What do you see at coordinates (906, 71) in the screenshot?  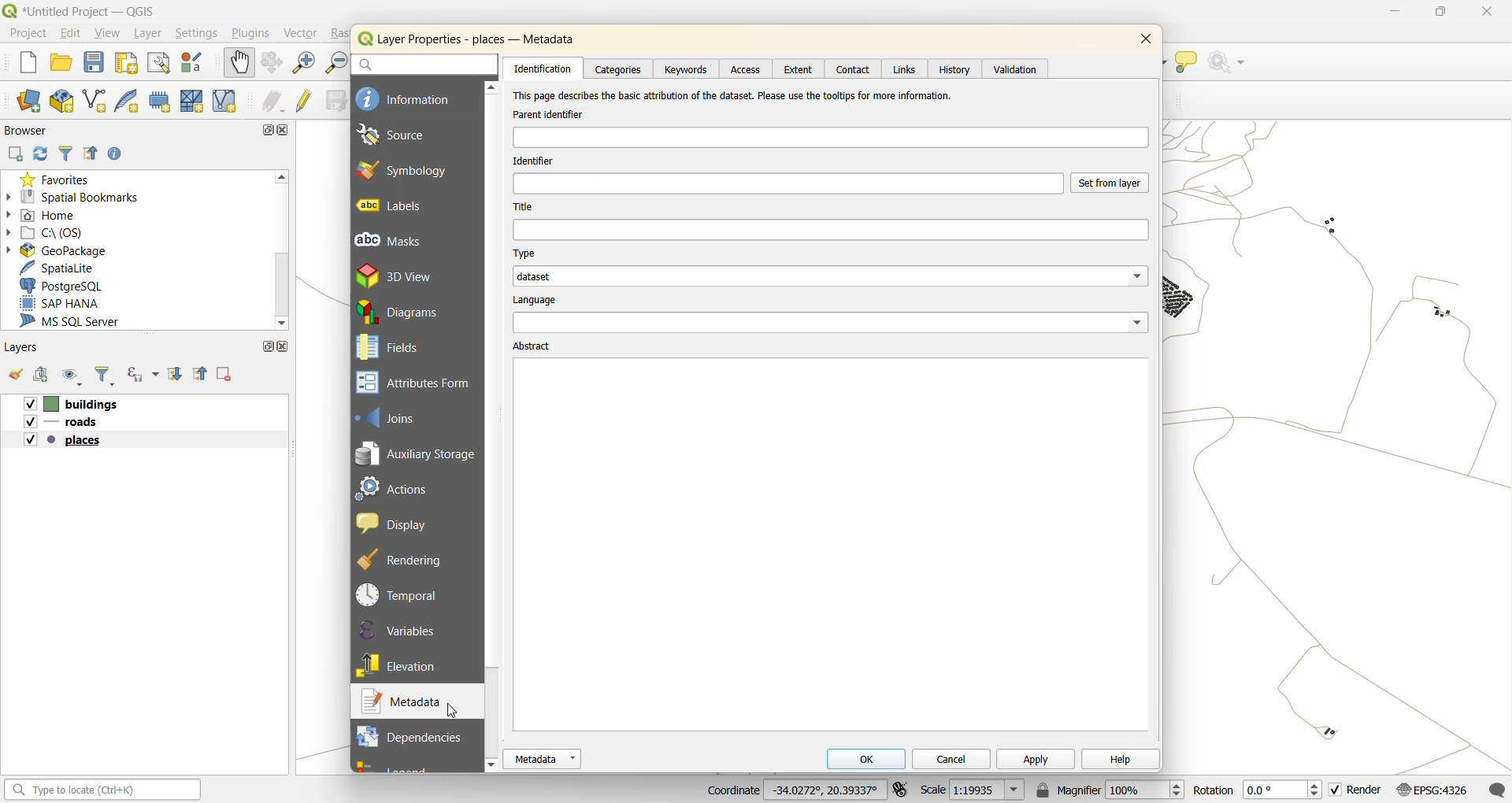 I see `links` at bounding box center [906, 71].